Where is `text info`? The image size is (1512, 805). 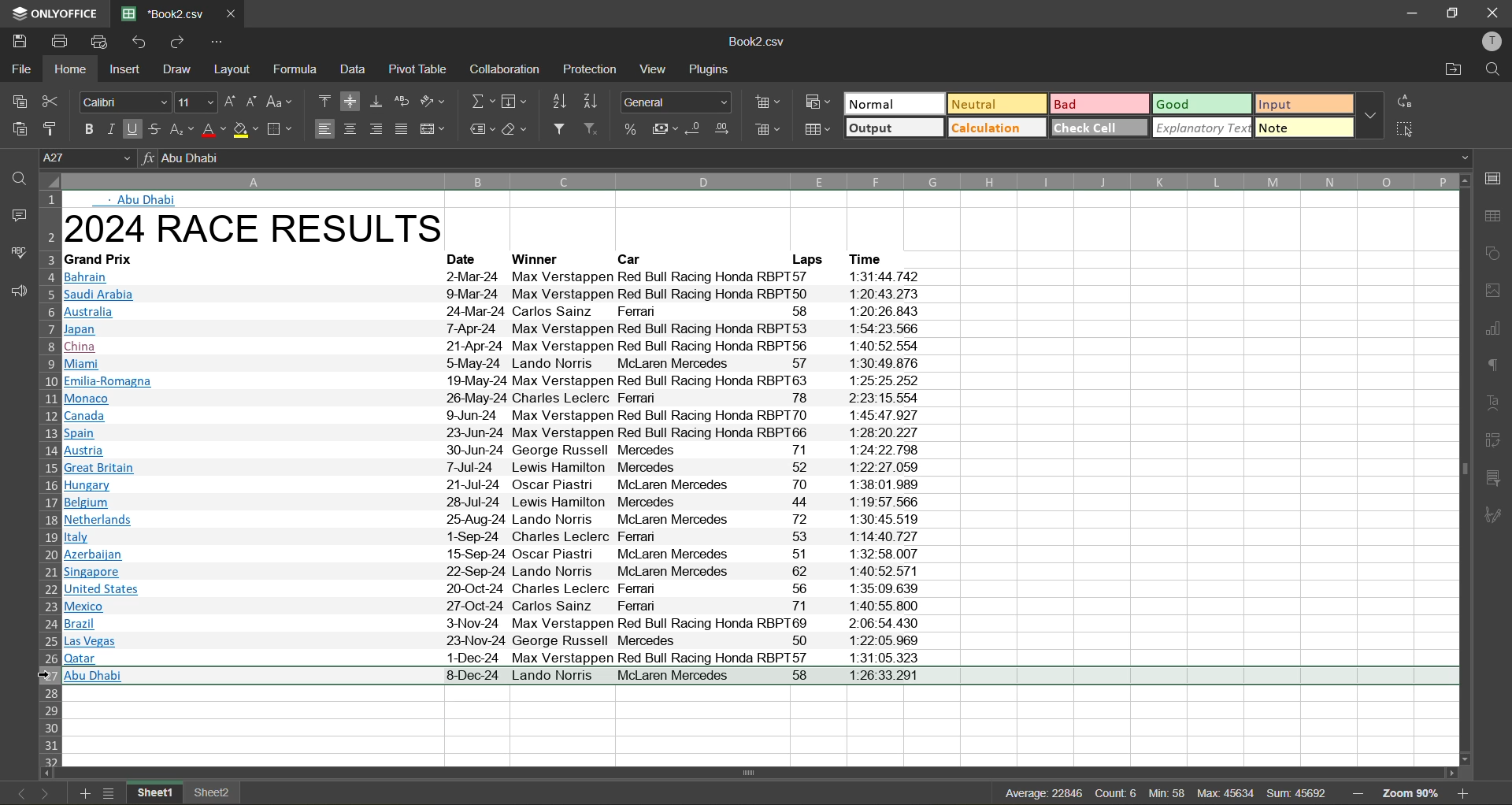
text info is located at coordinates (539, 260).